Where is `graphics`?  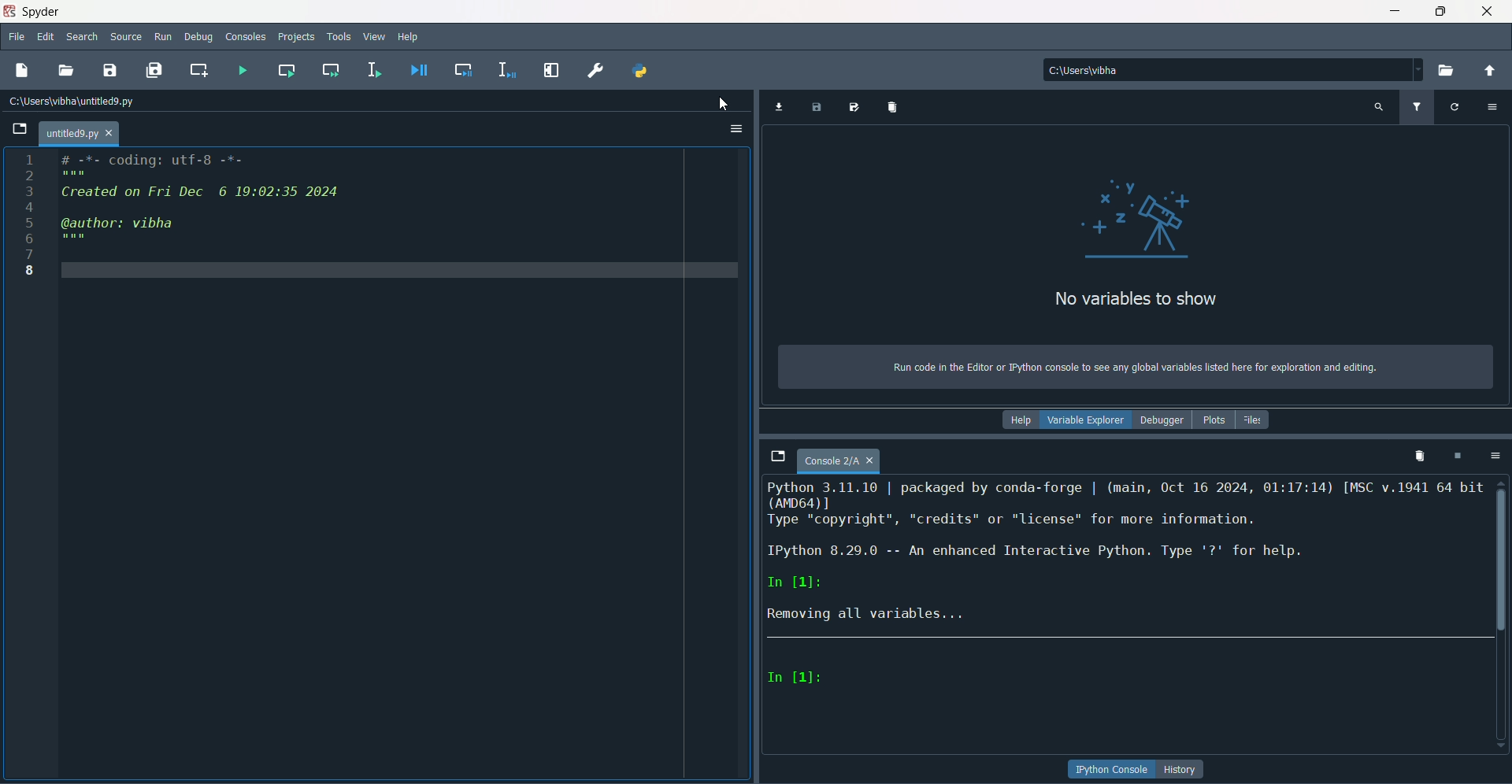 graphics is located at coordinates (1142, 216).